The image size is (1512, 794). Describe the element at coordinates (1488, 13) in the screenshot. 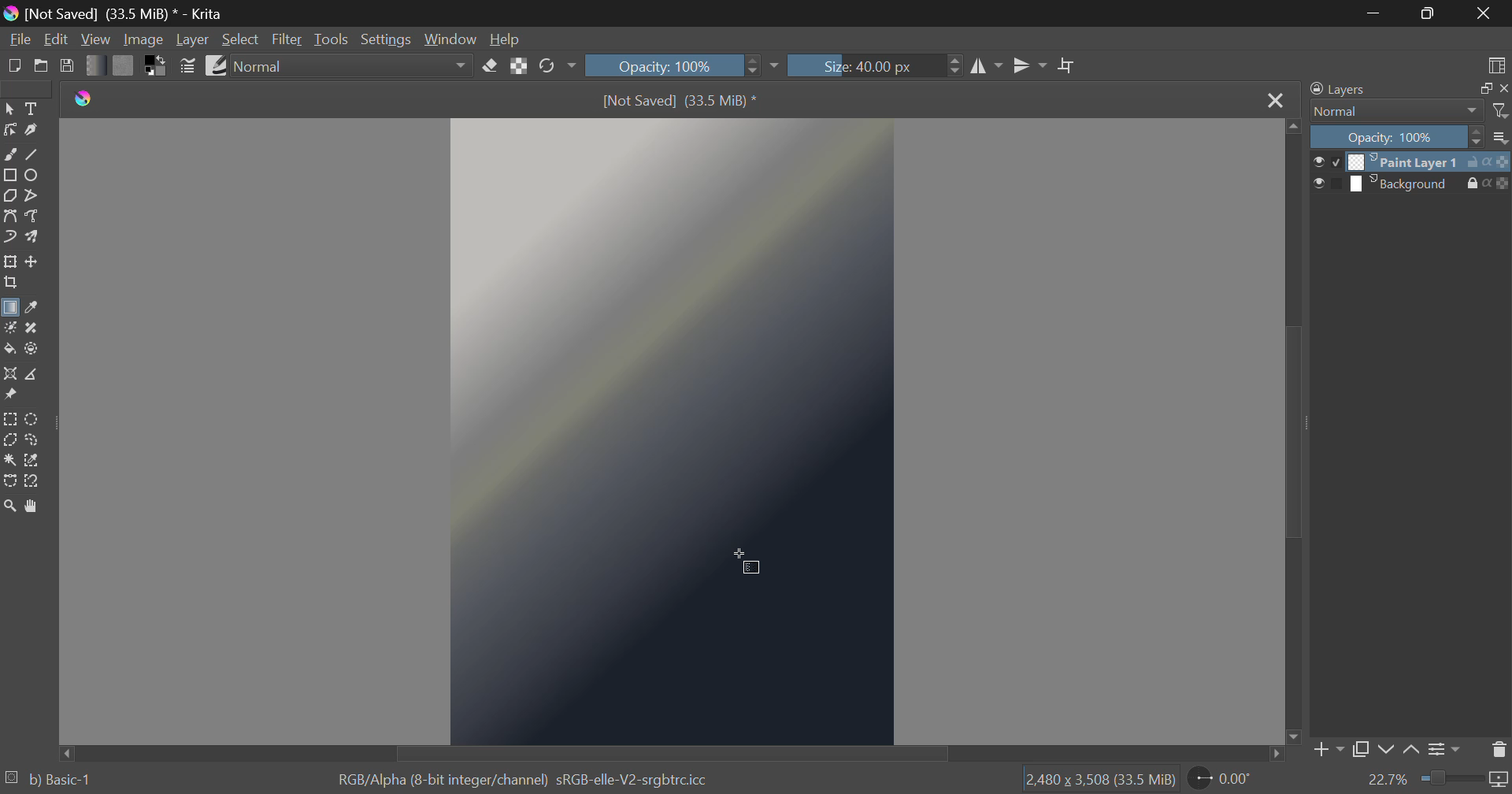

I see `Close` at that location.